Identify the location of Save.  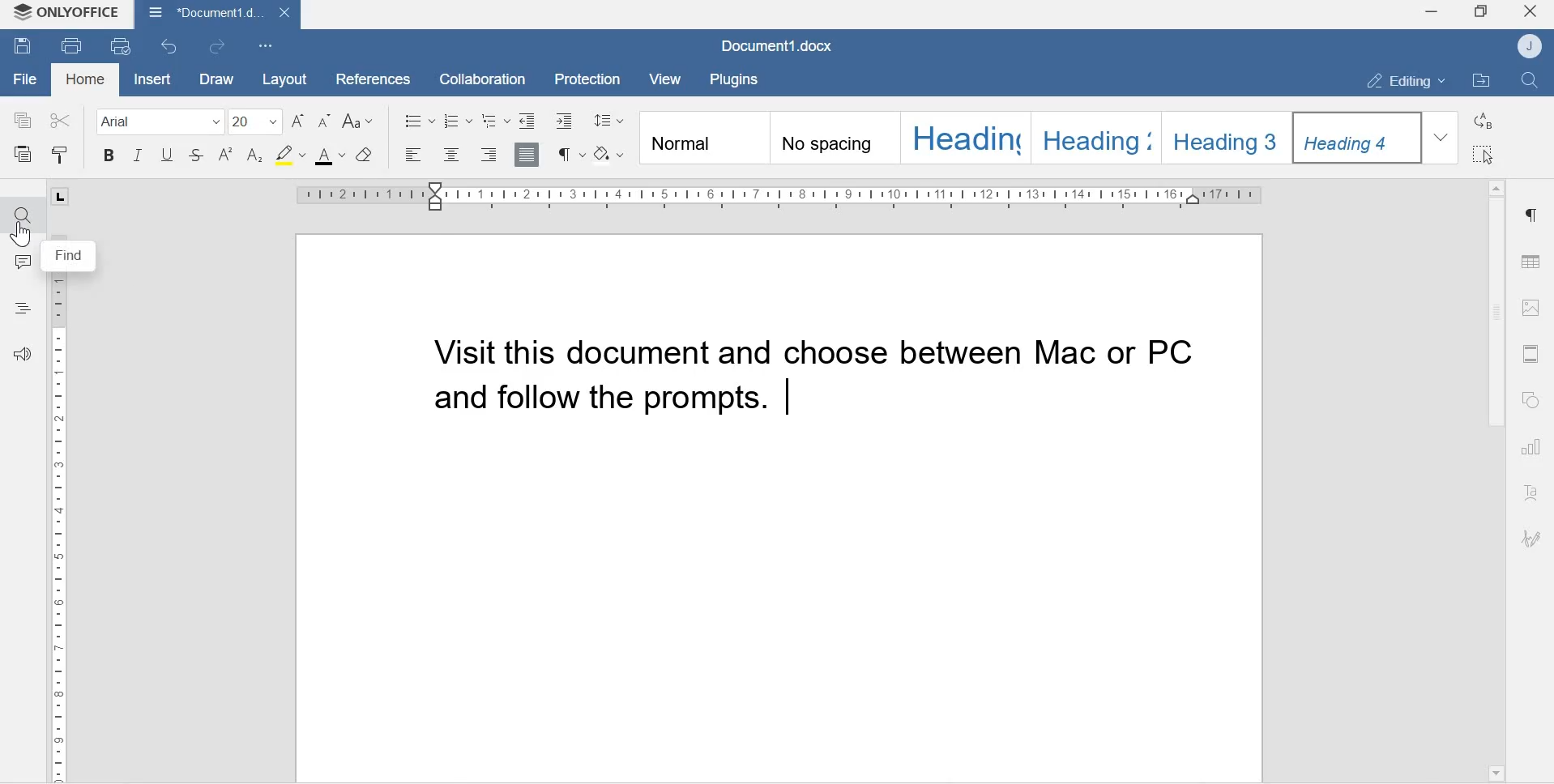
(23, 48).